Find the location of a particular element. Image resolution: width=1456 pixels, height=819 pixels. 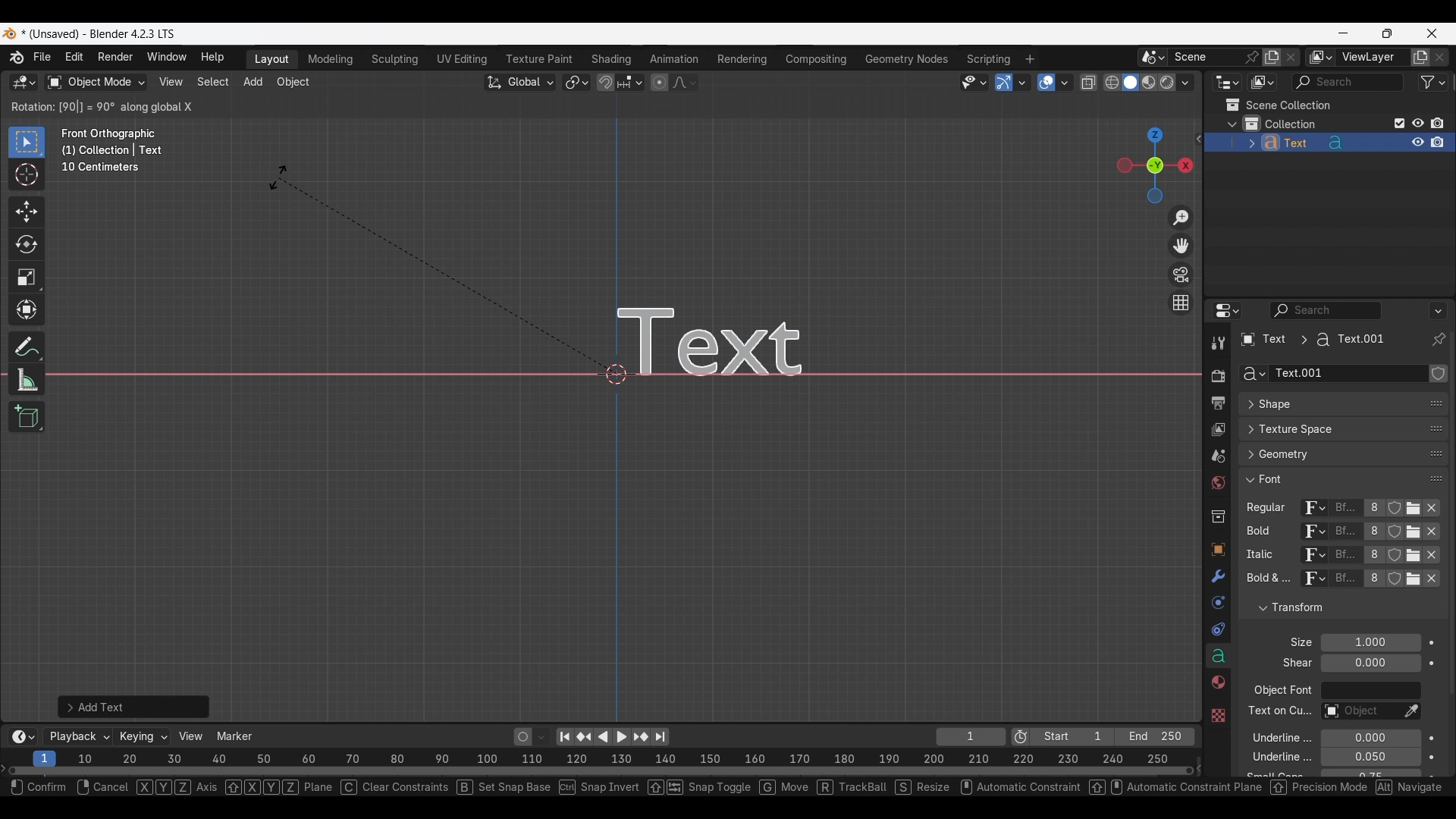

 is located at coordinates (1260, 534).